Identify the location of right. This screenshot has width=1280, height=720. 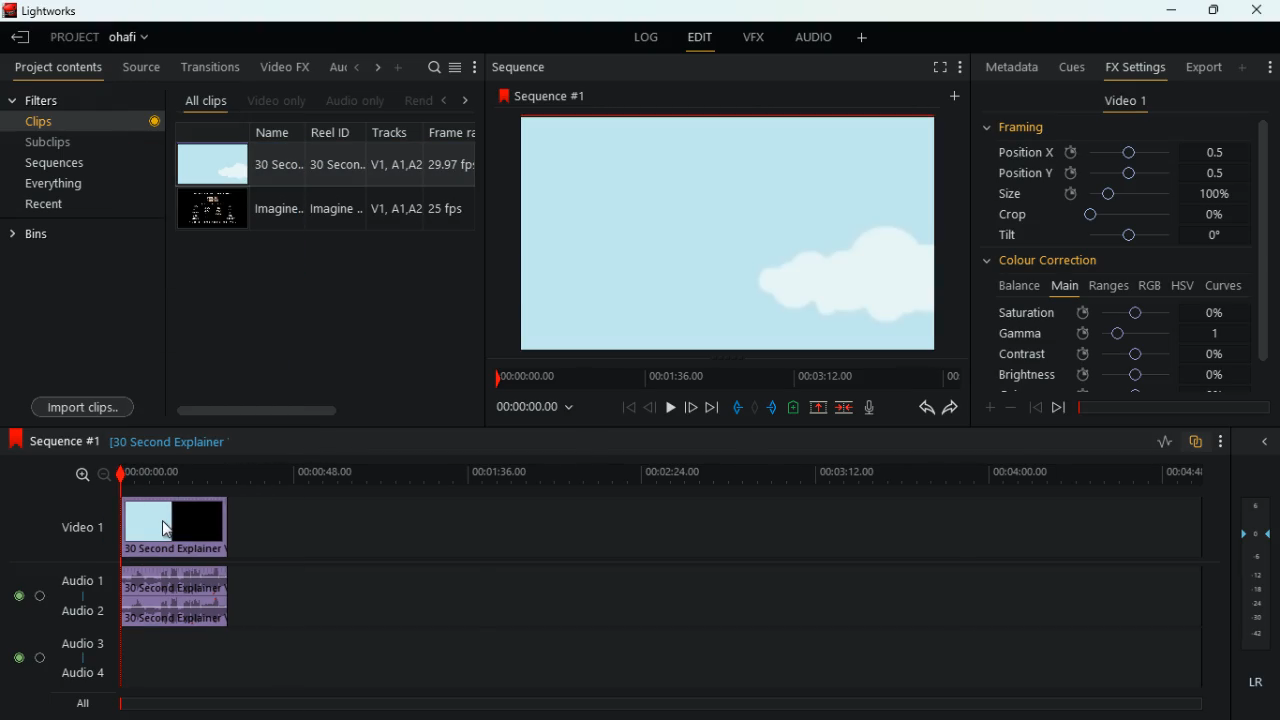
(374, 67).